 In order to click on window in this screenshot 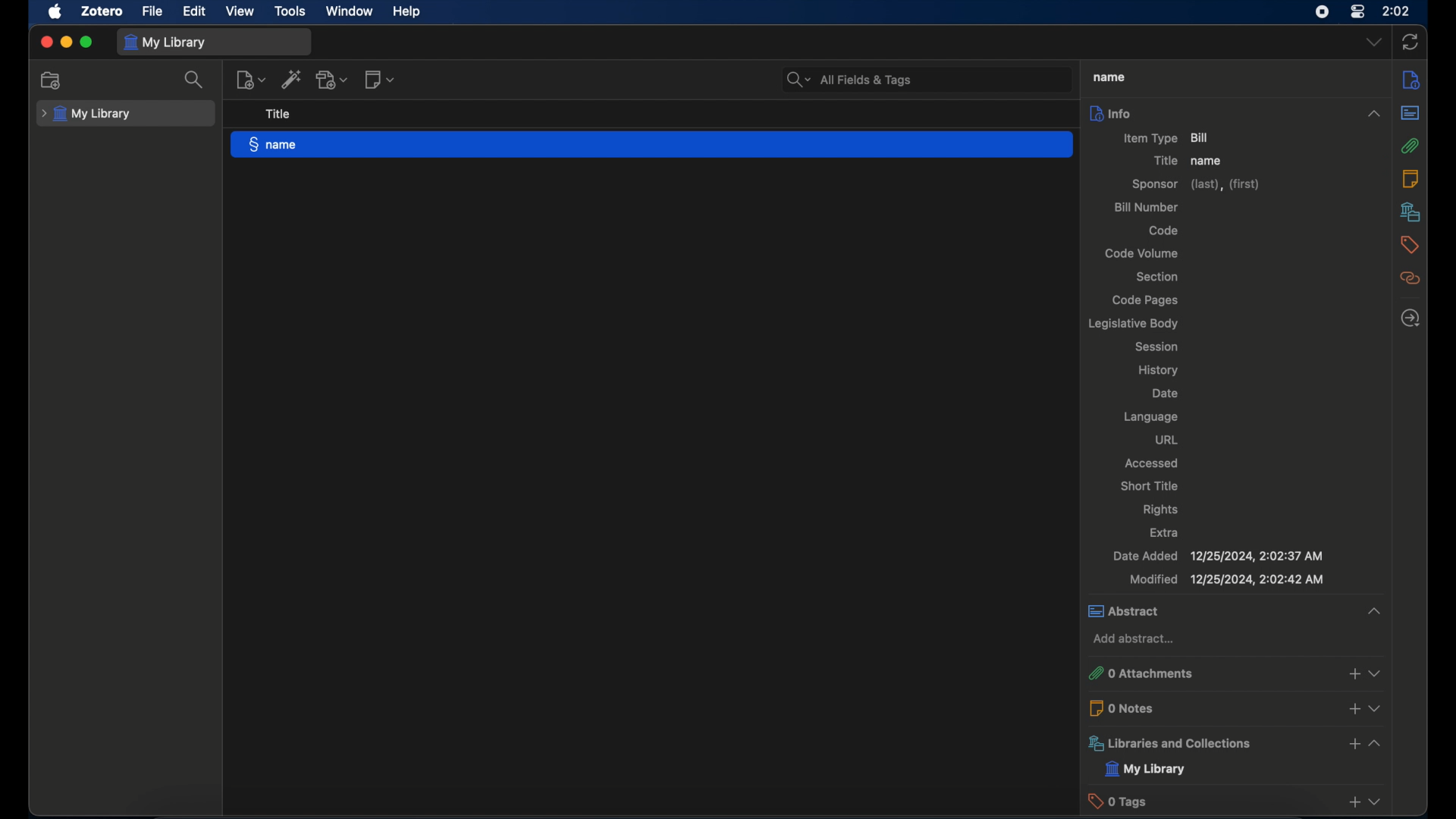, I will do `click(350, 11)`.